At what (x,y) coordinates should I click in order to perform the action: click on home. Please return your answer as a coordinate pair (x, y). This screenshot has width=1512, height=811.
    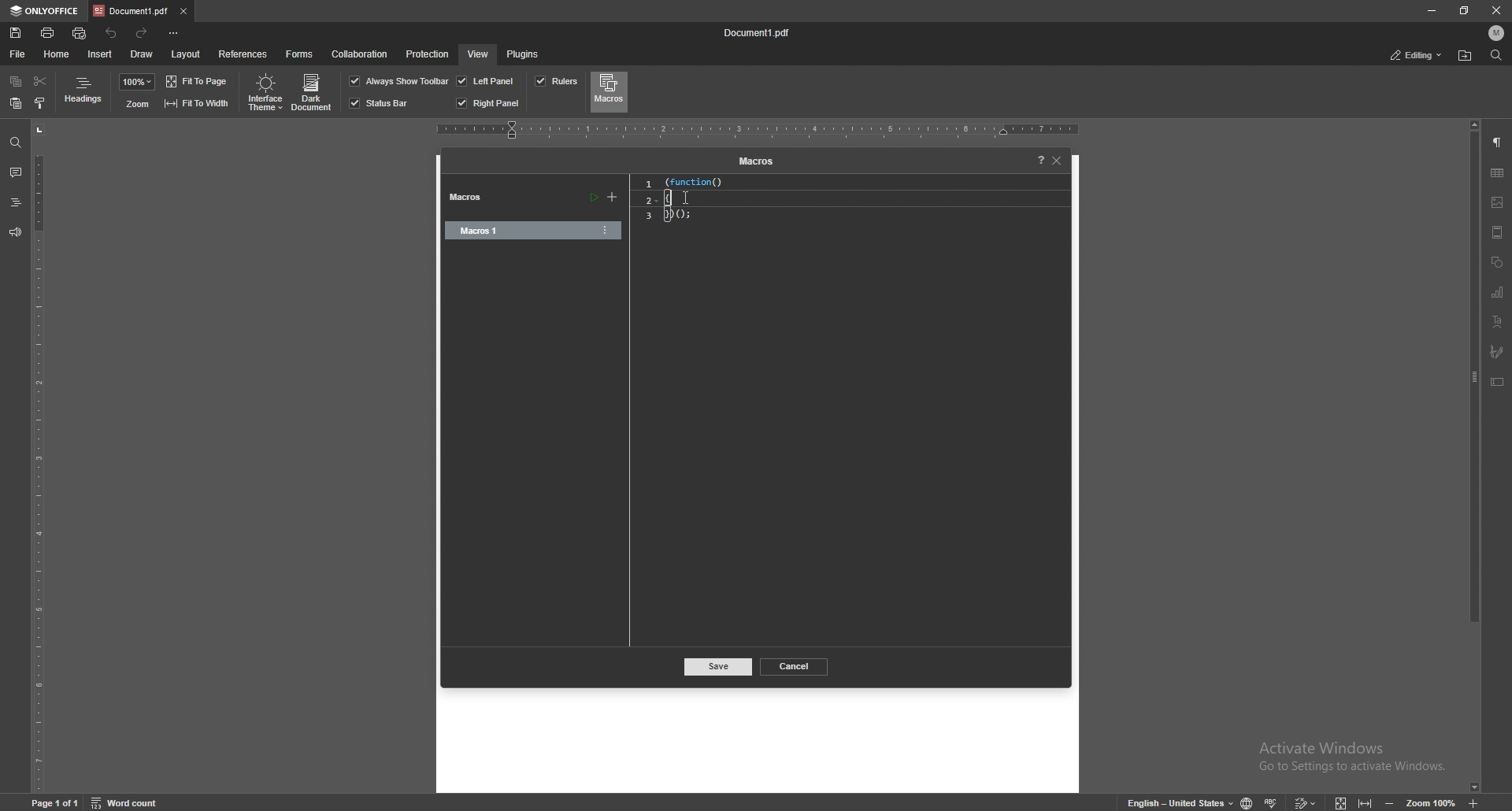
    Looking at the image, I should click on (57, 54).